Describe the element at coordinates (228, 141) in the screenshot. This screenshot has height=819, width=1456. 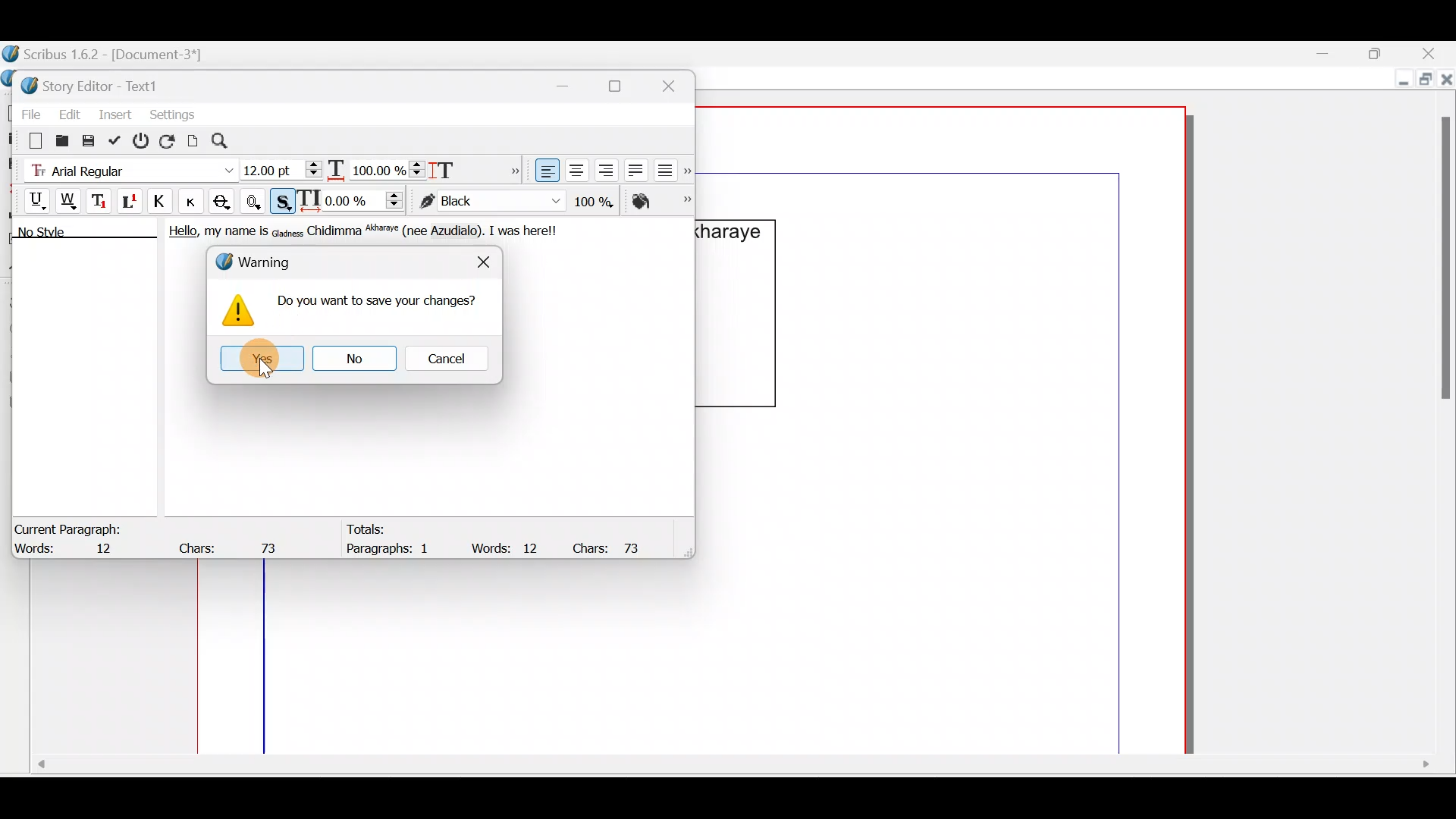
I see `Search/replace` at that location.